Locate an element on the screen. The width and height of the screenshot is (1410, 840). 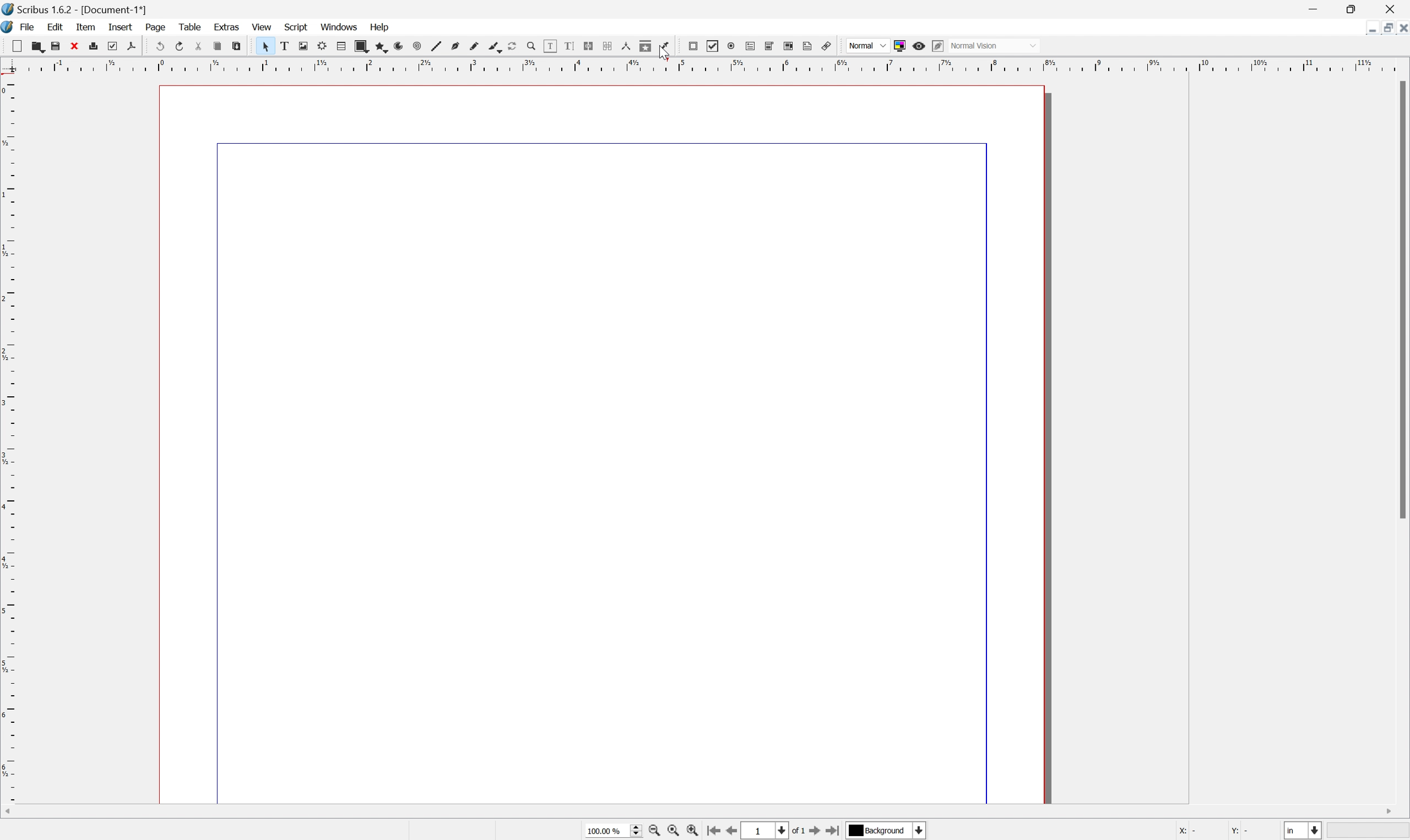
polygon is located at coordinates (380, 45).